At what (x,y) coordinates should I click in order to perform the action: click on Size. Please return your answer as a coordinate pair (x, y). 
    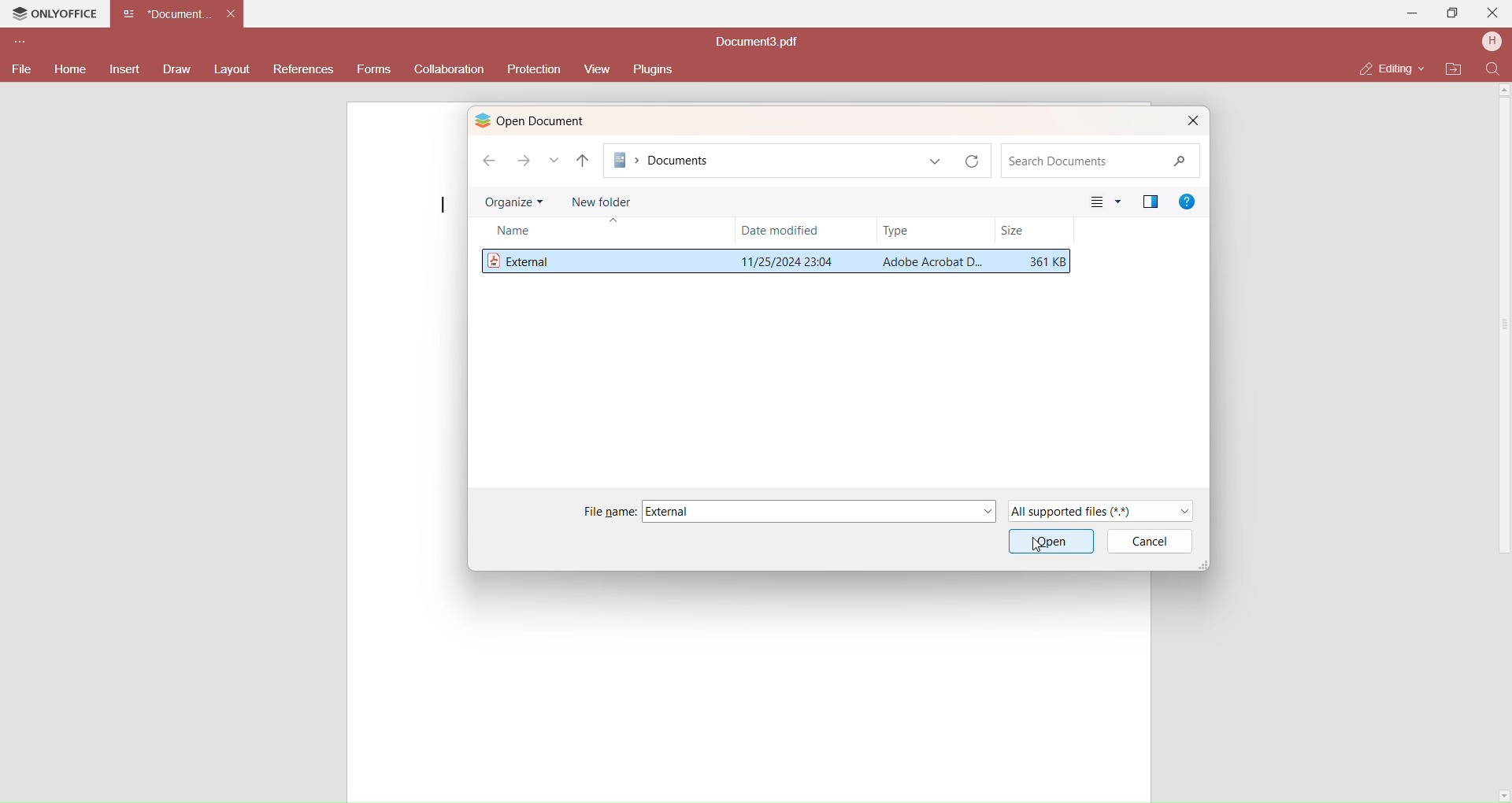
    Looking at the image, I should click on (1014, 231).